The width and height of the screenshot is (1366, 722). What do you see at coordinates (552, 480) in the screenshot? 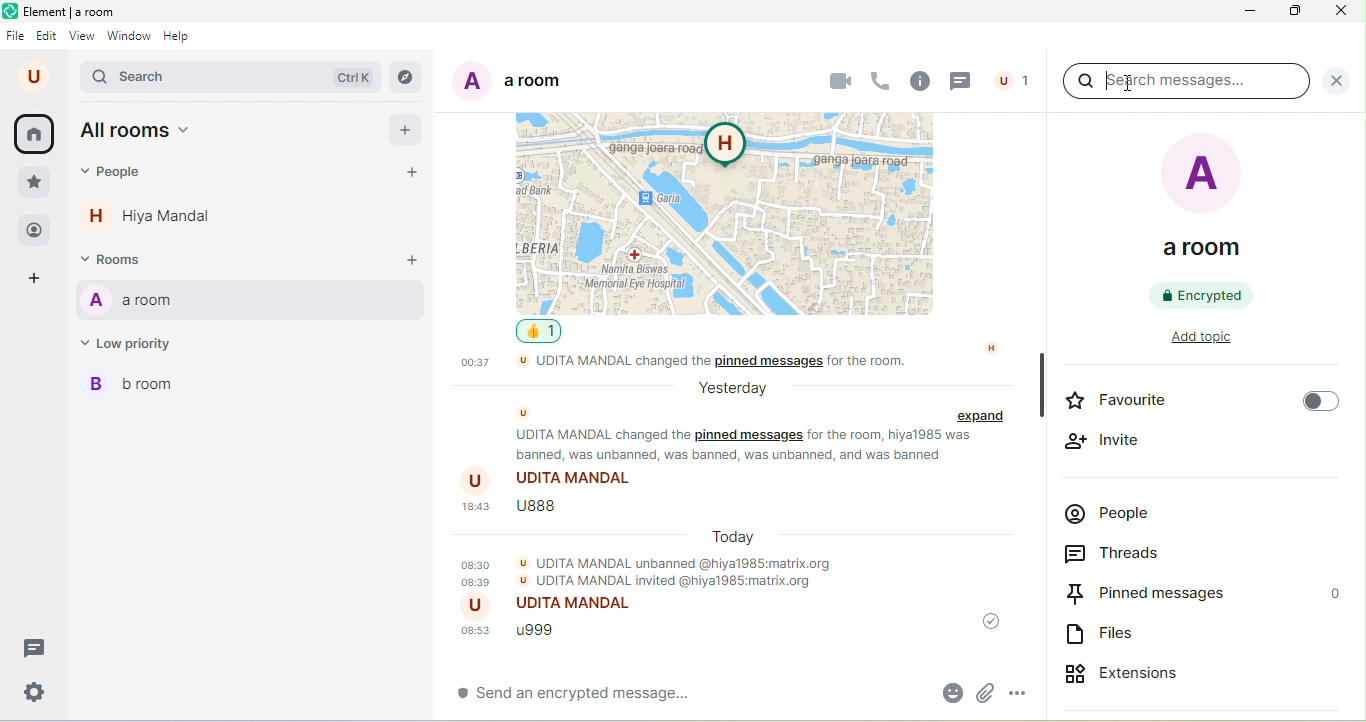
I see `udita mandal` at bounding box center [552, 480].